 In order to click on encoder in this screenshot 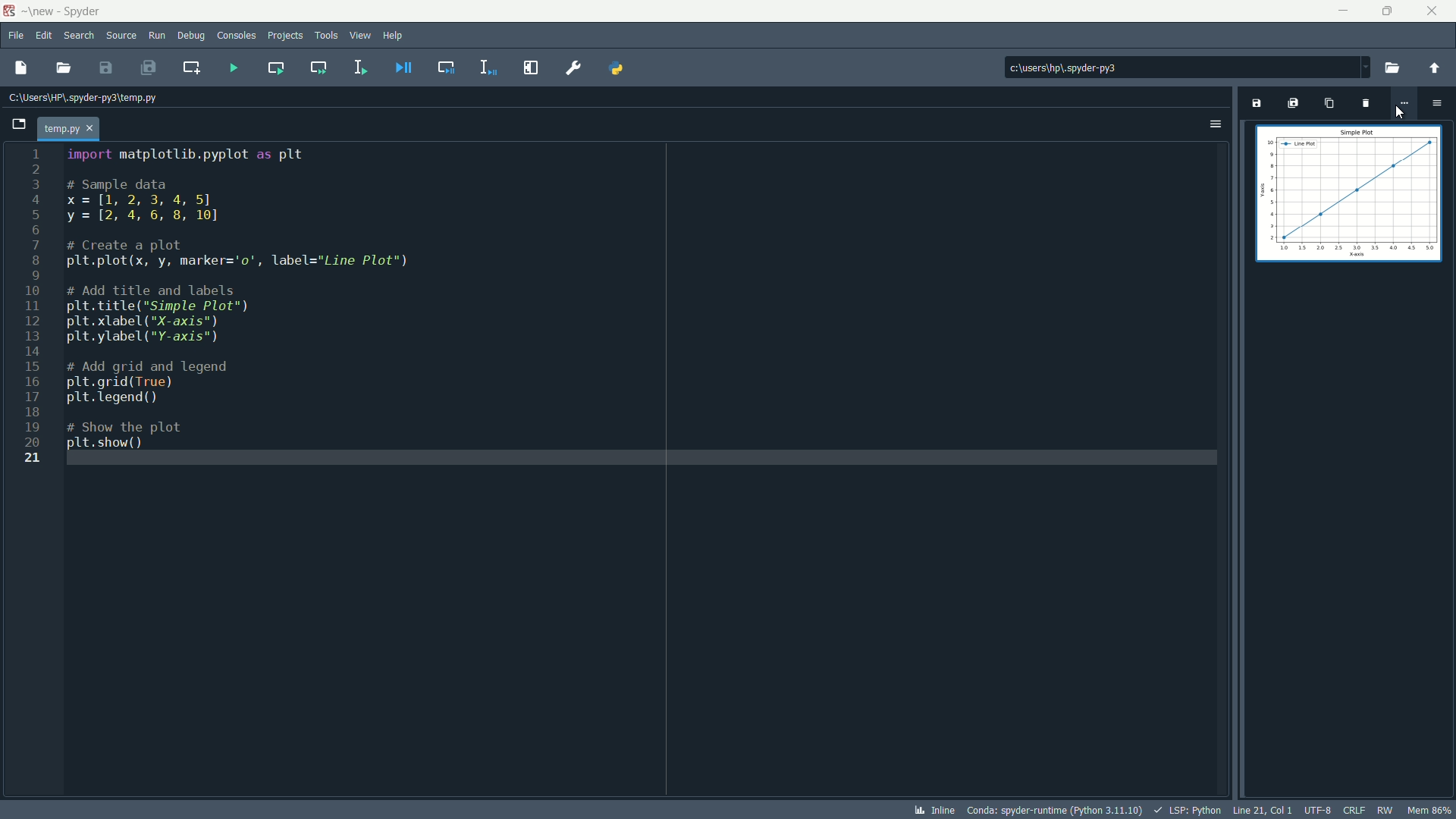, I will do `click(1318, 810)`.